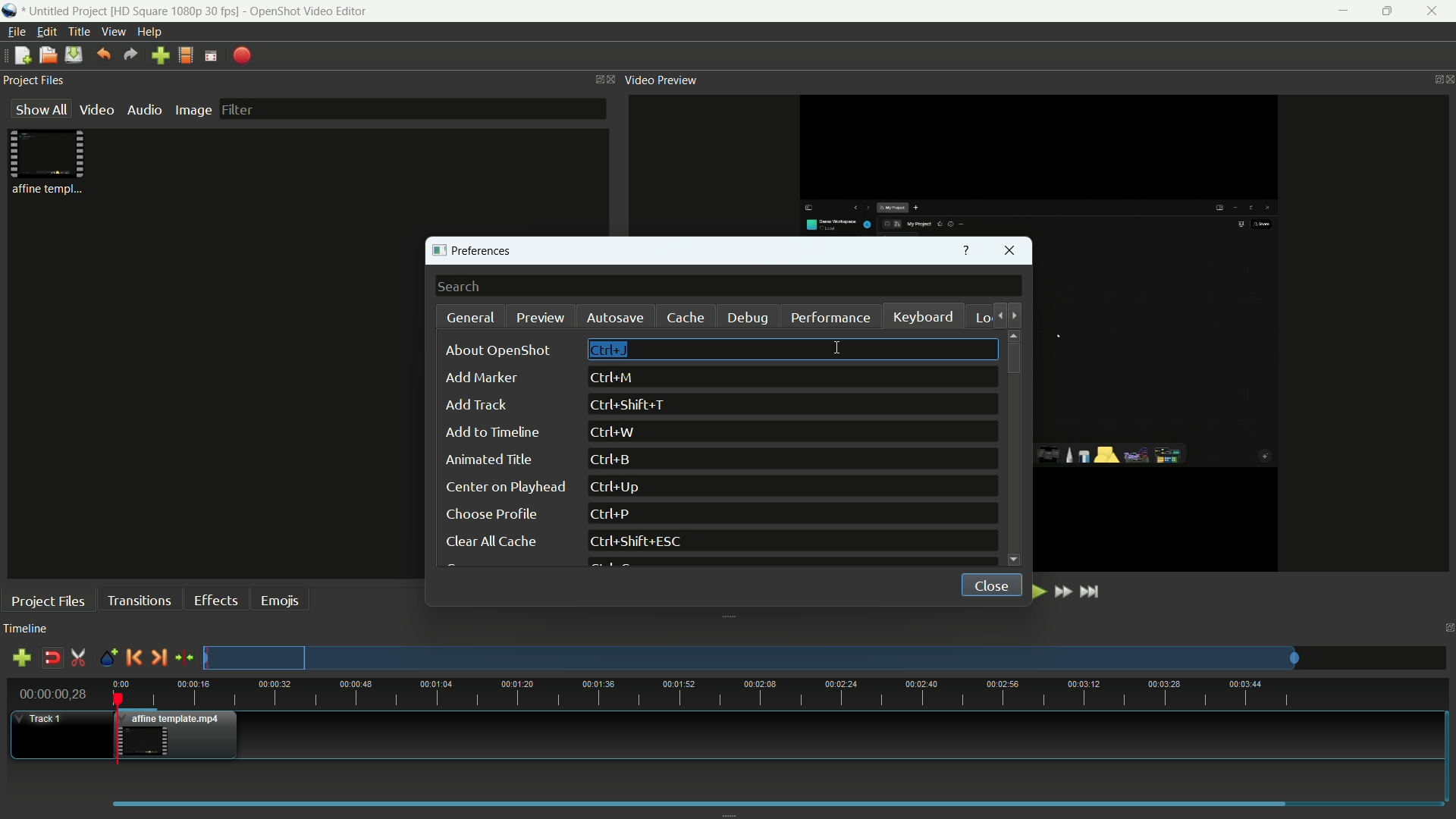 The height and width of the screenshot is (819, 1456). Describe the element at coordinates (966, 252) in the screenshot. I see `get help` at that location.